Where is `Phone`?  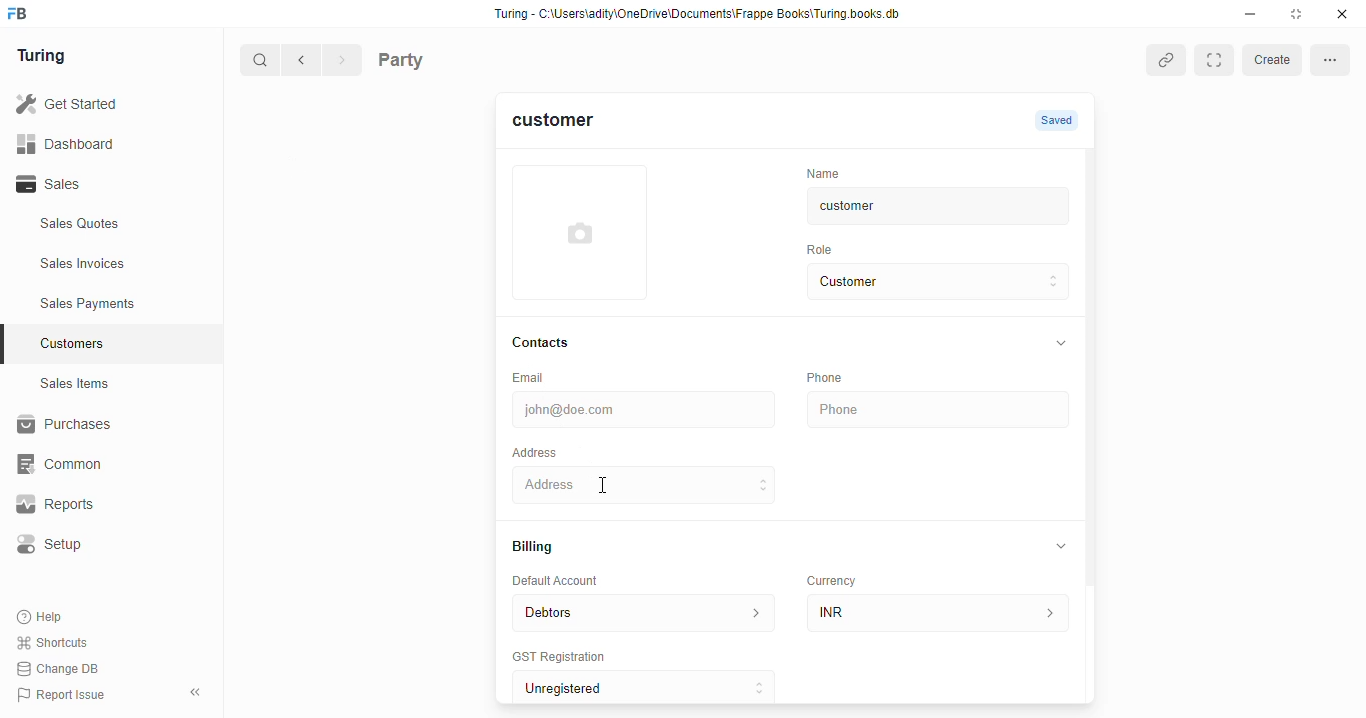
Phone is located at coordinates (822, 377).